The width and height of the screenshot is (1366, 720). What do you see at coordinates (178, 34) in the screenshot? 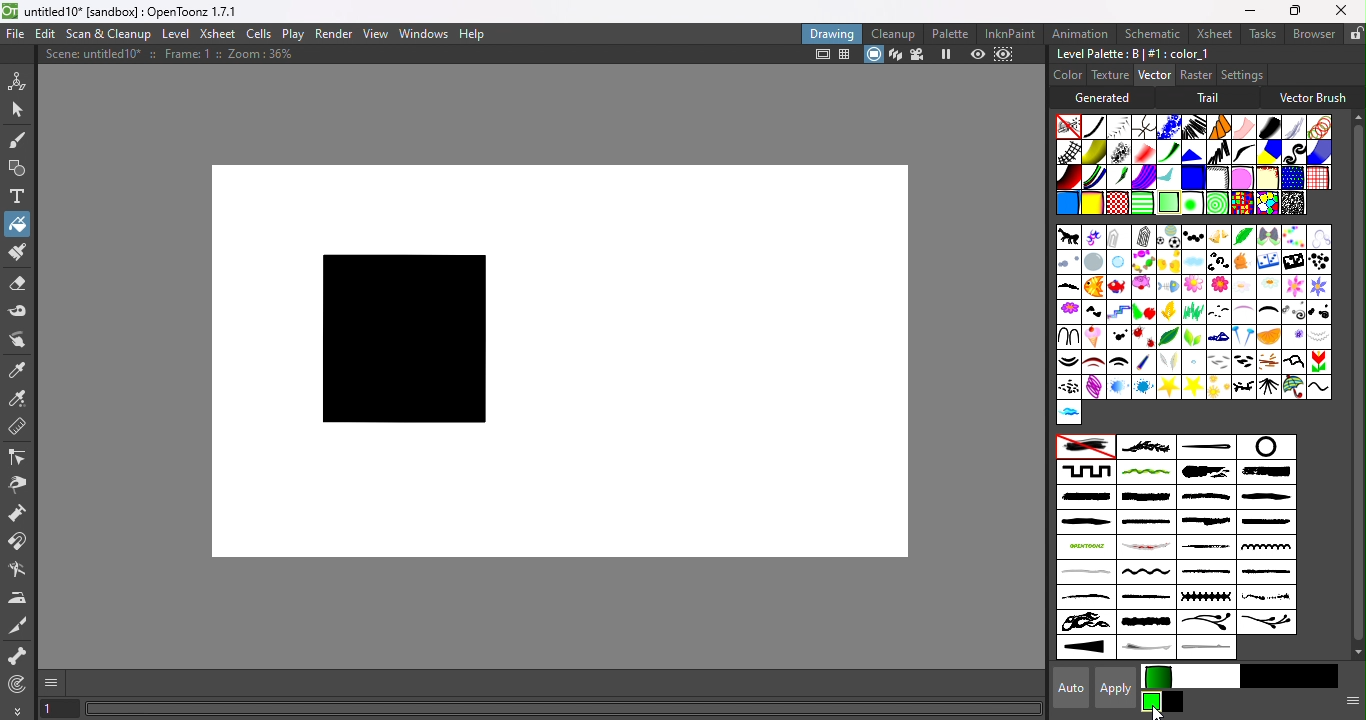
I see `Level` at bounding box center [178, 34].